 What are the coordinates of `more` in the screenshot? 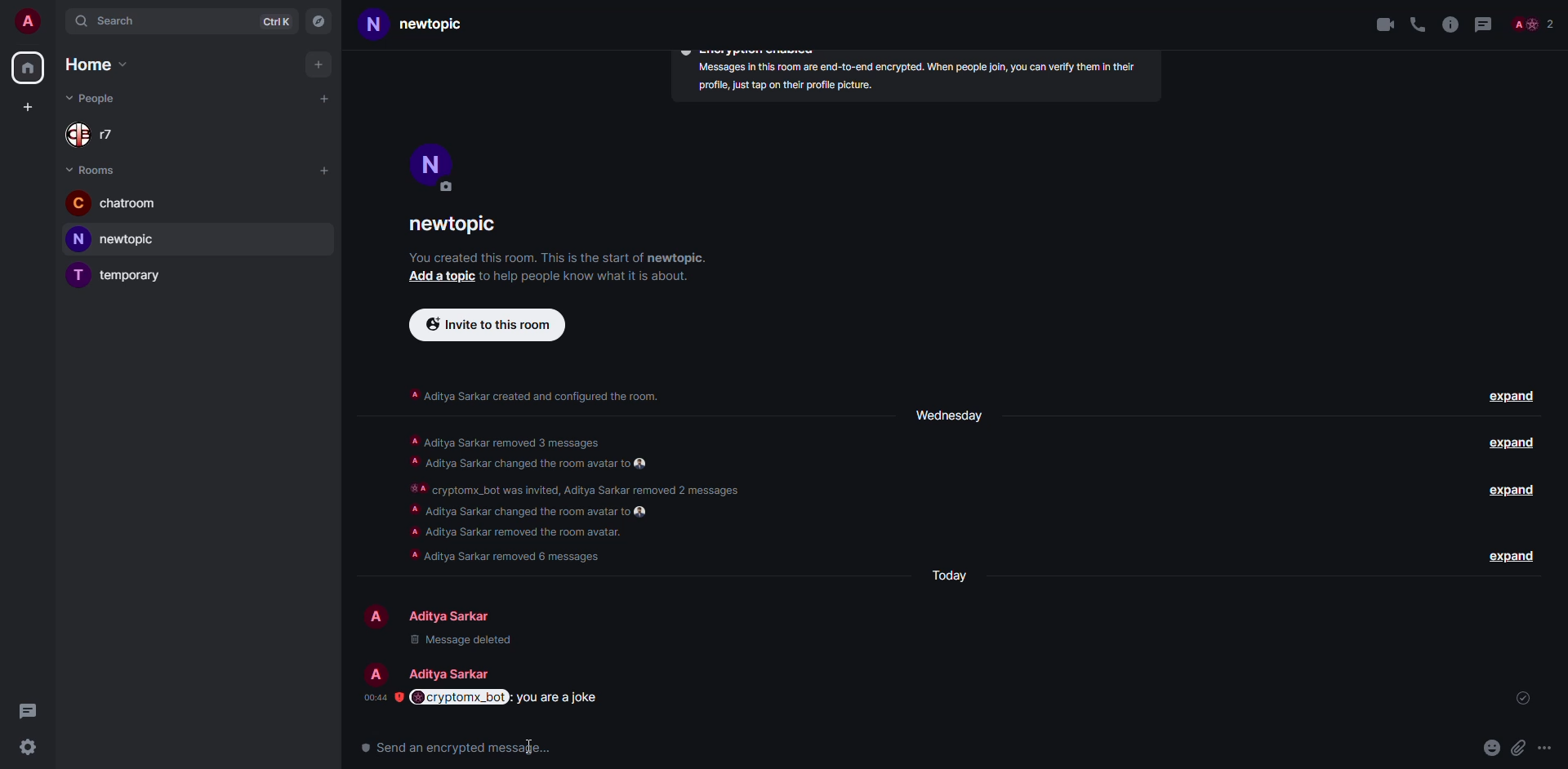 It's located at (1517, 748).